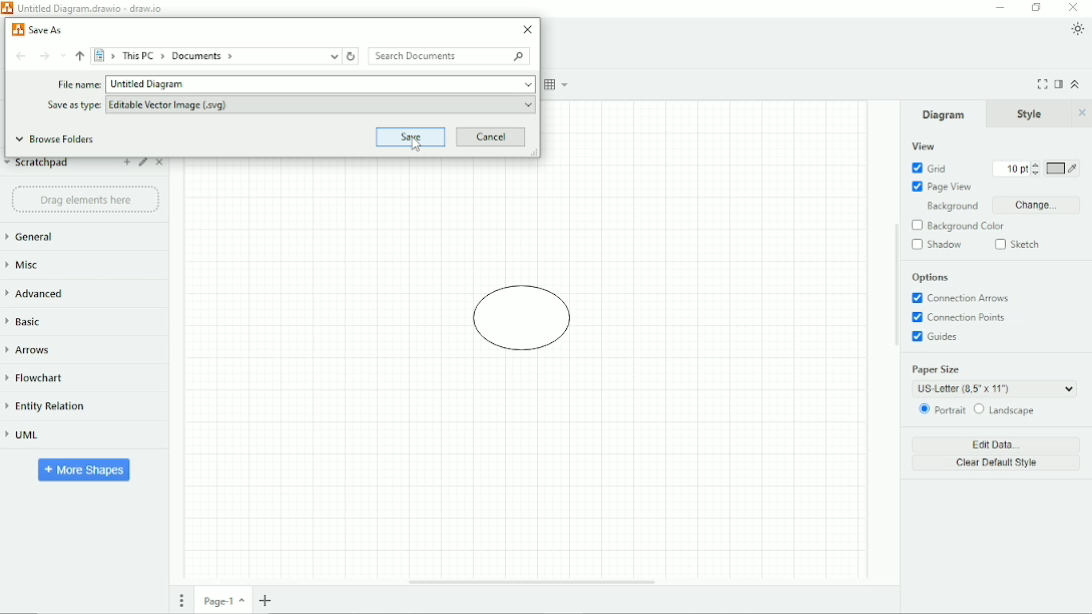 This screenshot has width=1092, height=614. Describe the element at coordinates (931, 278) in the screenshot. I see `Options` at that location.